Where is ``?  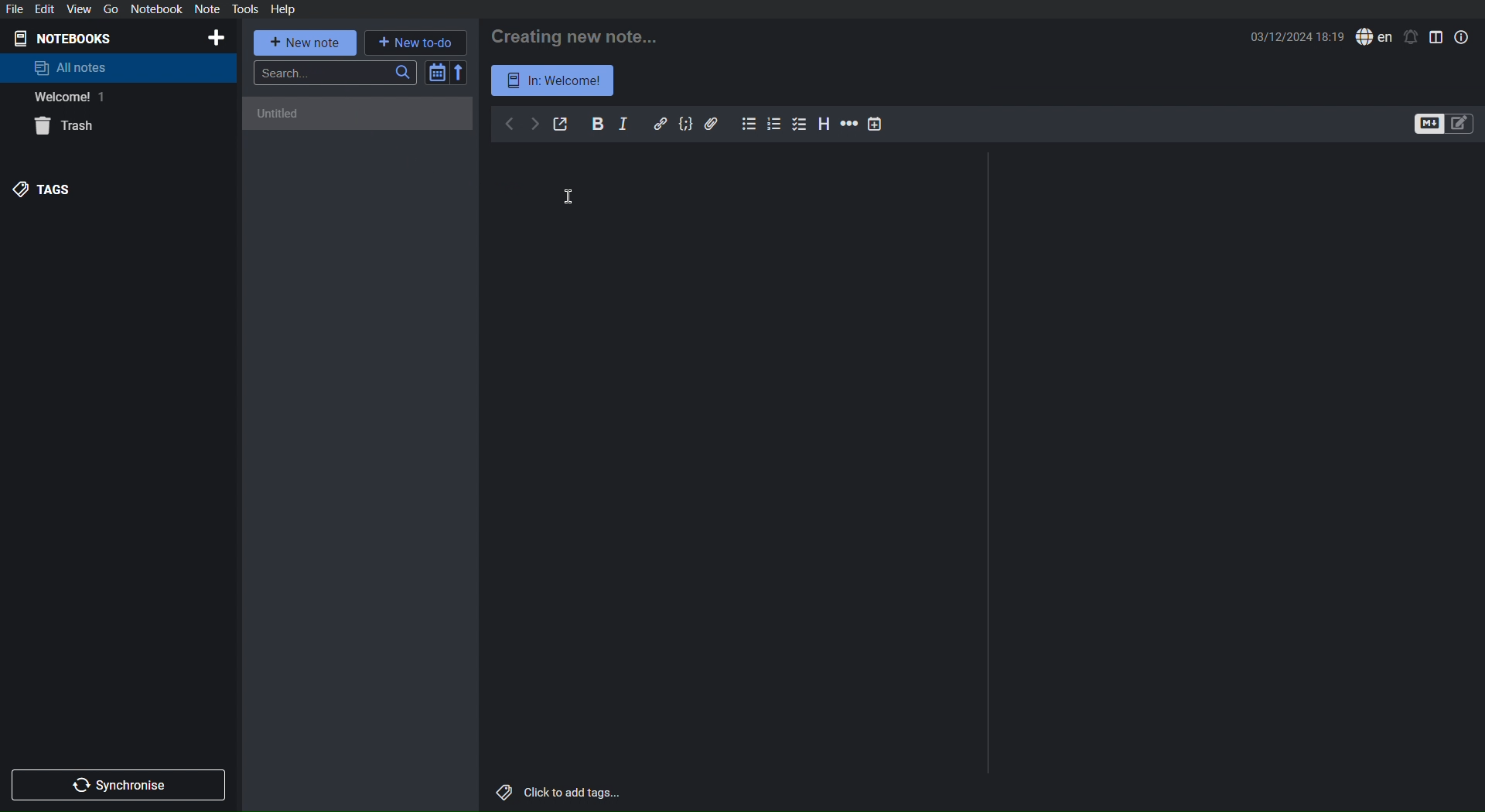
 is located at coordinates (749, 123).